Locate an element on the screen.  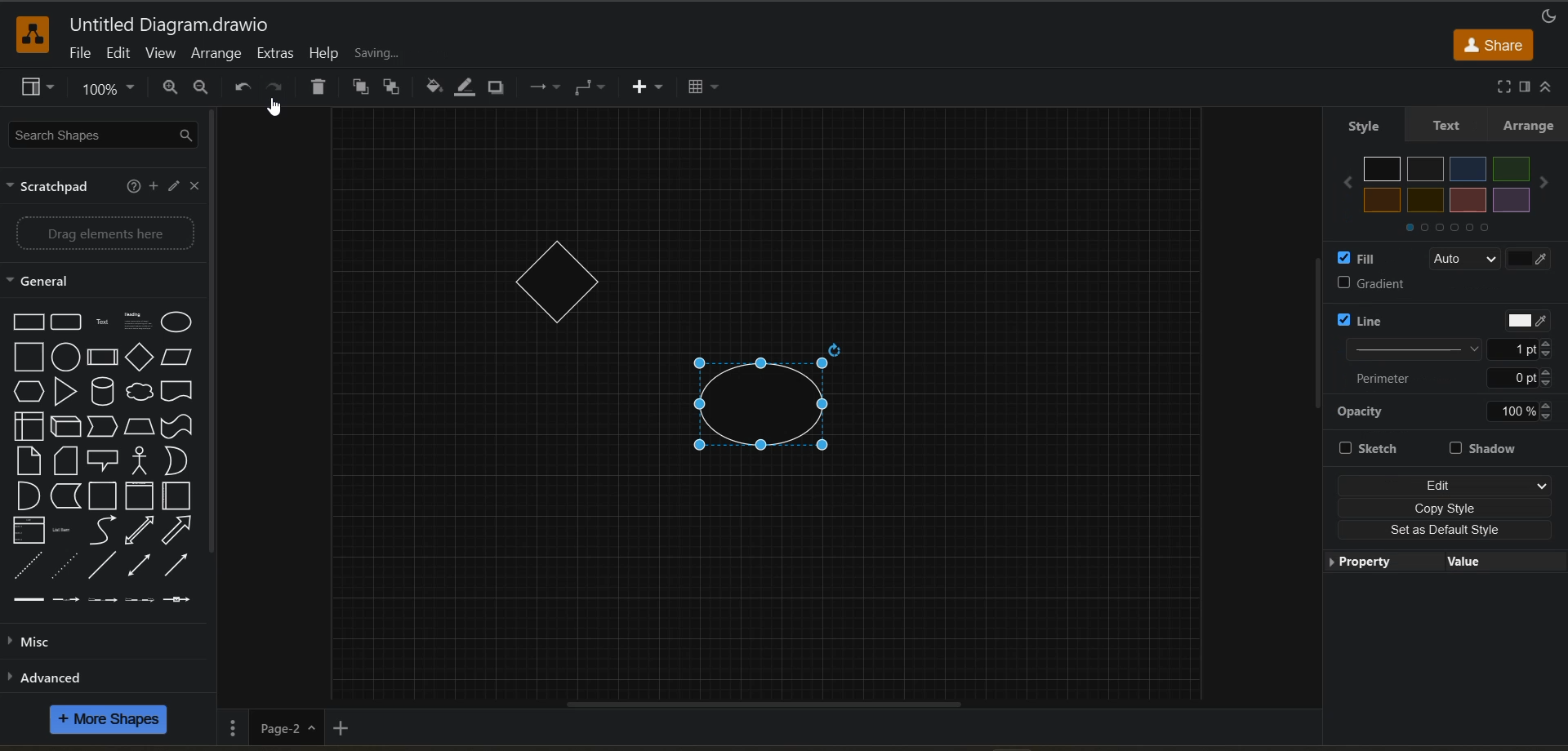
zoom is located at coordinates (111, 88).